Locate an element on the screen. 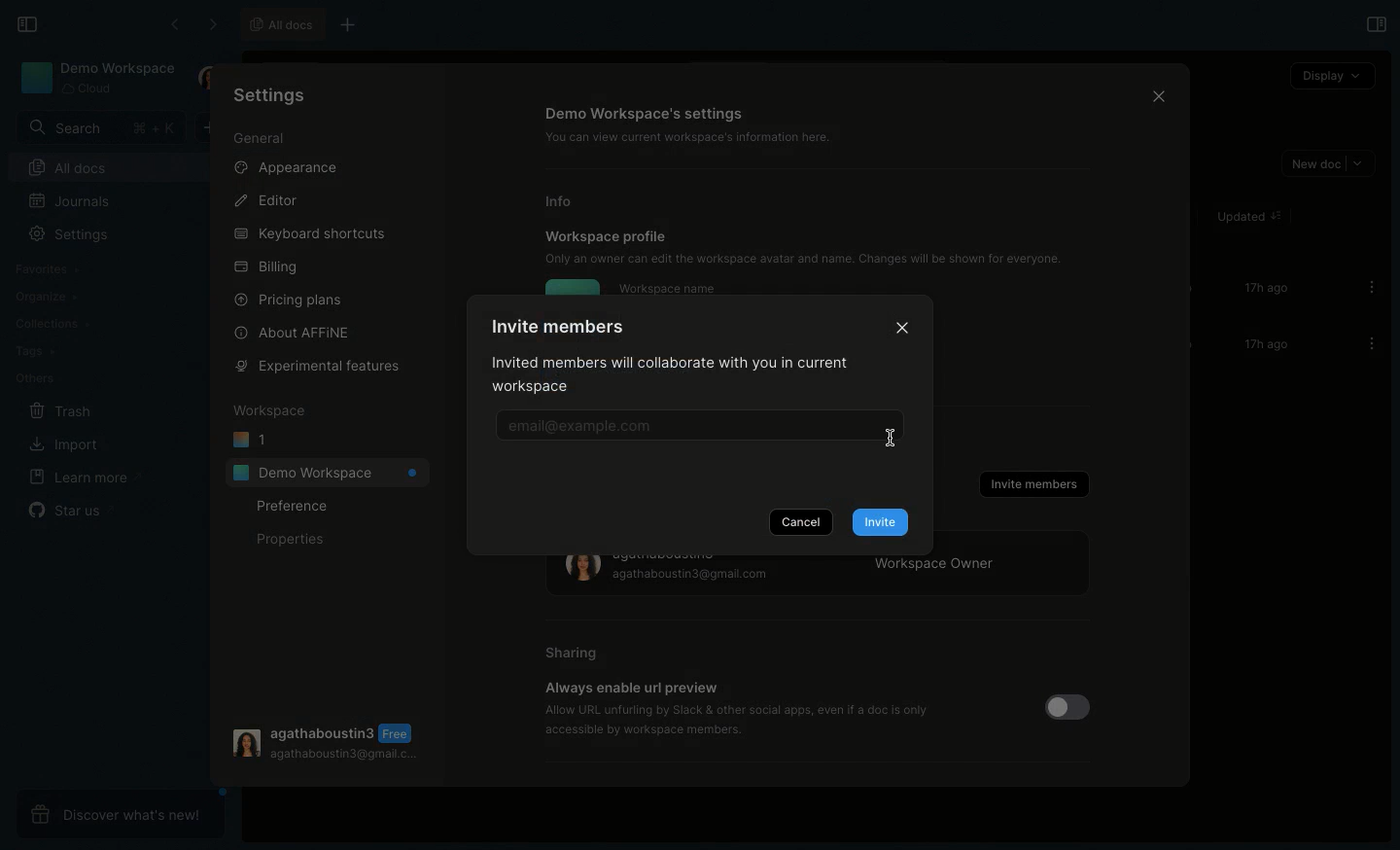 This screenshot has height=850, width=1400. Updated is located at coordinates (1246, 217).